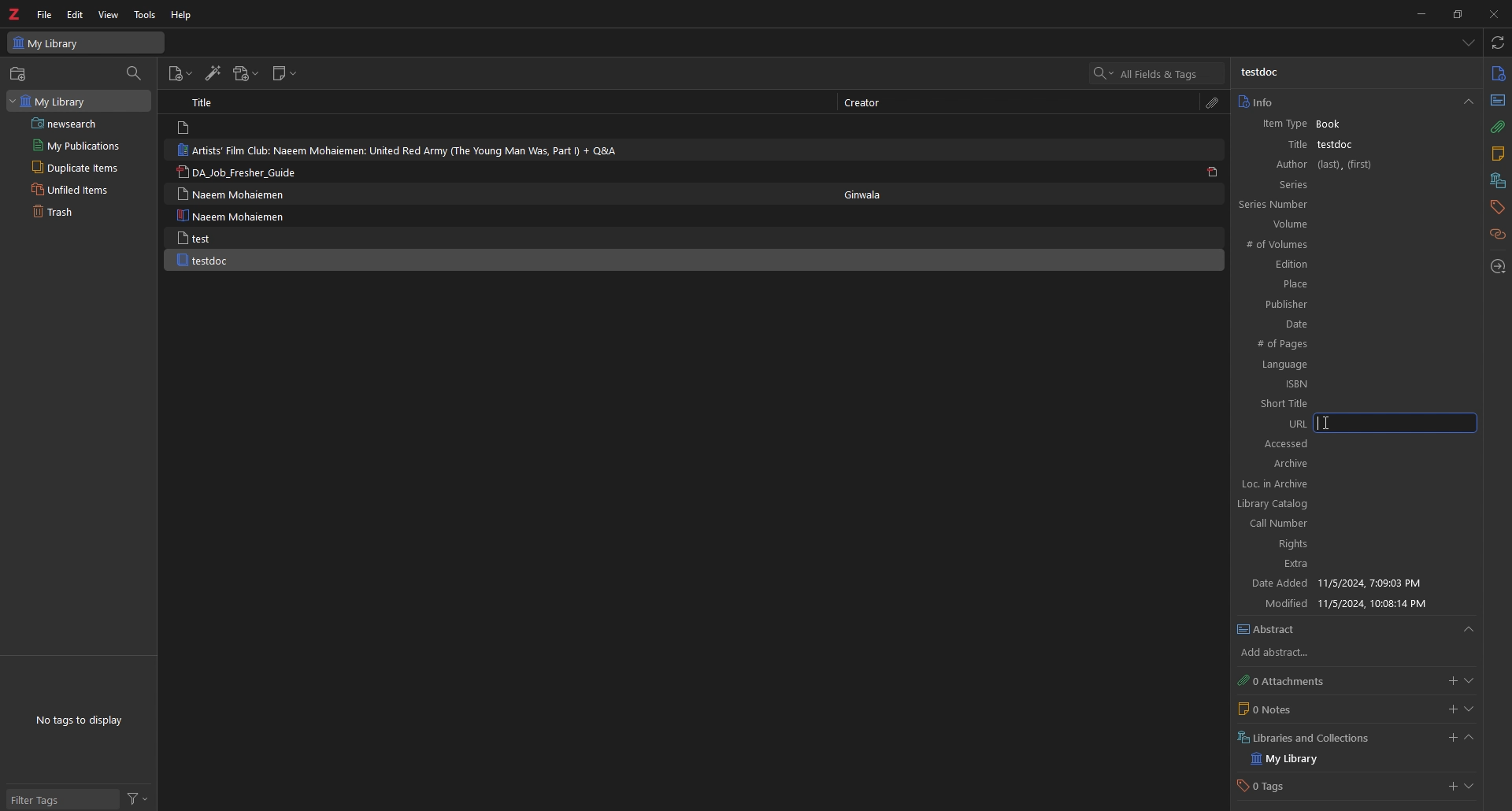 The width and height of the screenshot is (1512, 811). I want to click on Artists’ Film Club: Naeem Mohaiemen: United Red Army, so click(402, 150).